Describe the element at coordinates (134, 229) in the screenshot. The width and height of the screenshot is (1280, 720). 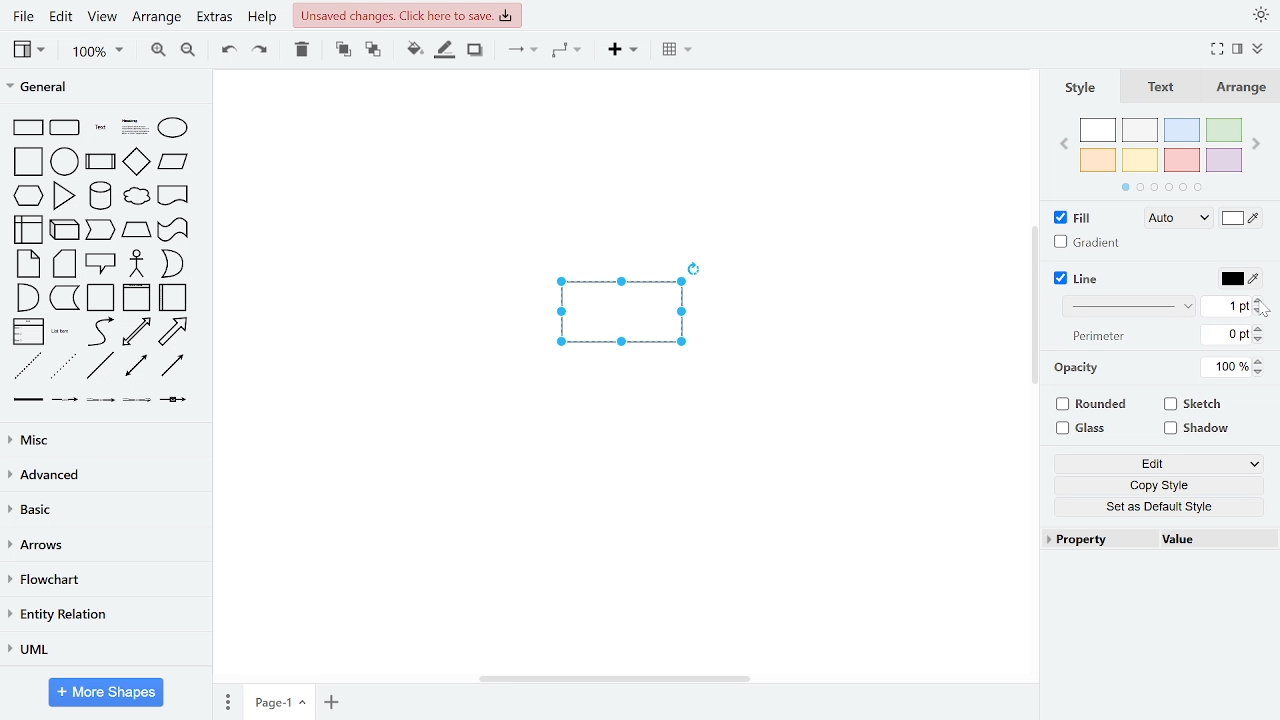
I see `general shapes` at that location.